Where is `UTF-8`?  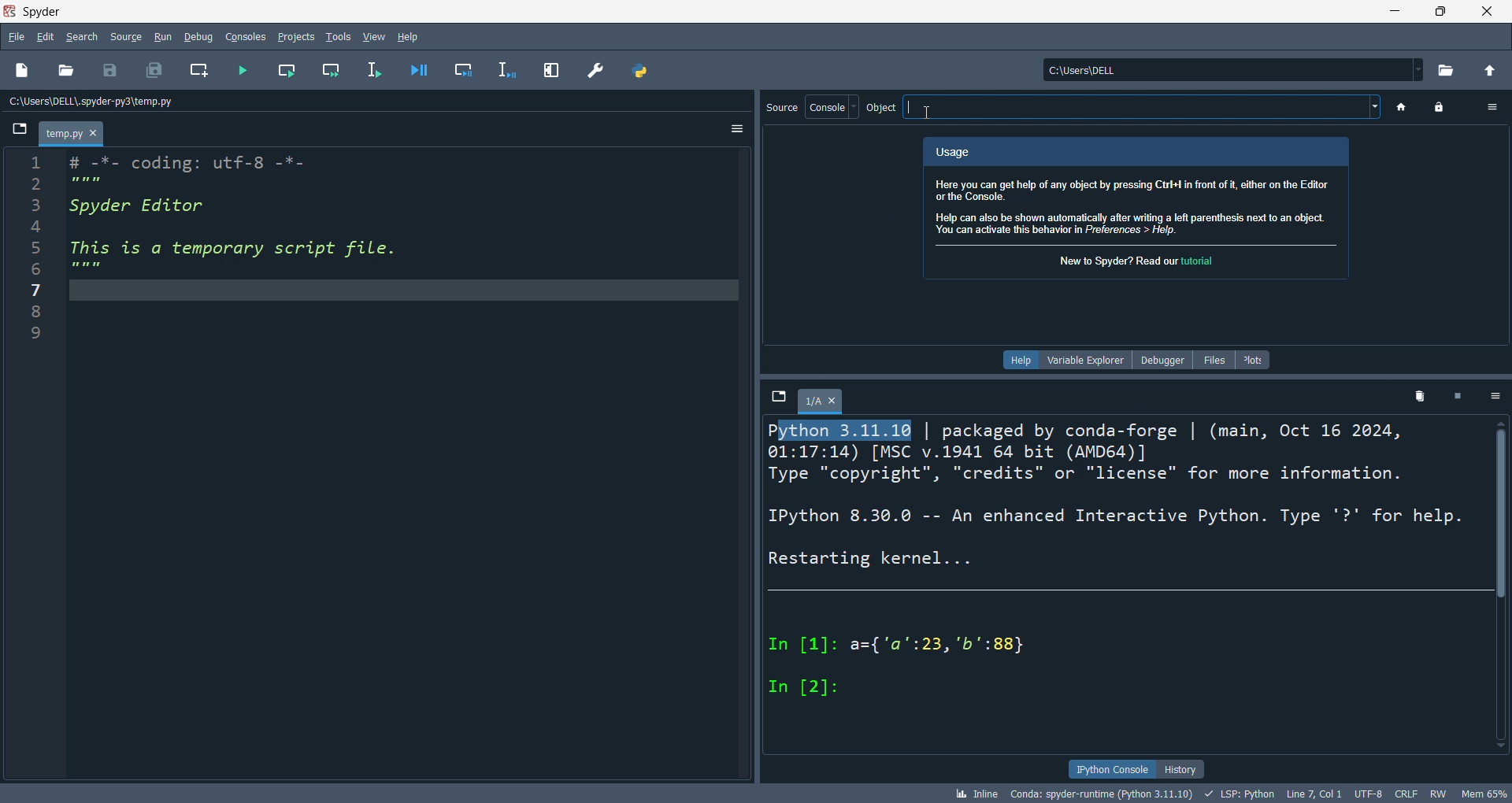
UTF-8 is located at coordinates (1367, 792).